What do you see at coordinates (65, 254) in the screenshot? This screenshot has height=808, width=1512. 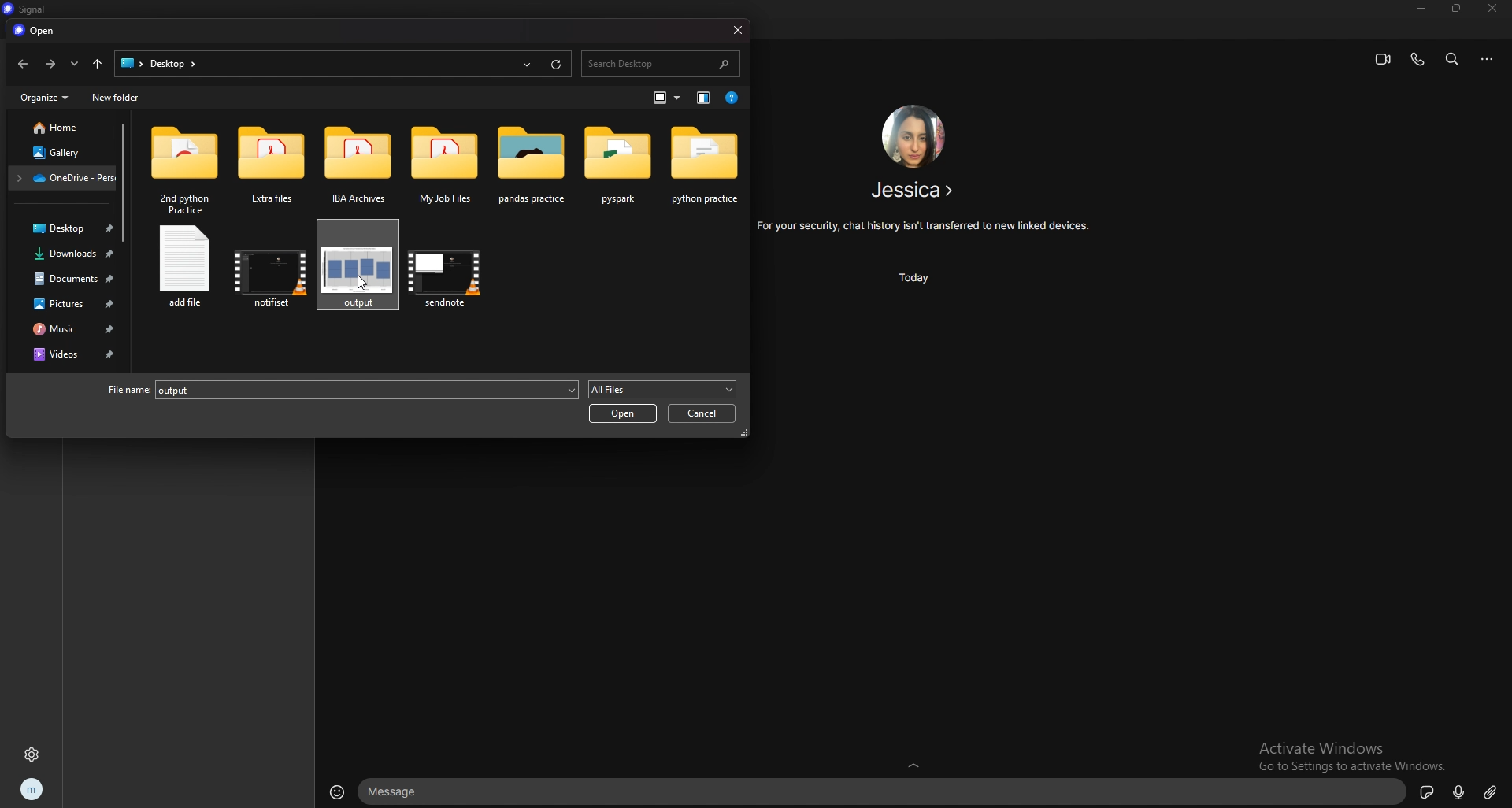 I see `downloads` at bounding box center [65, 254].